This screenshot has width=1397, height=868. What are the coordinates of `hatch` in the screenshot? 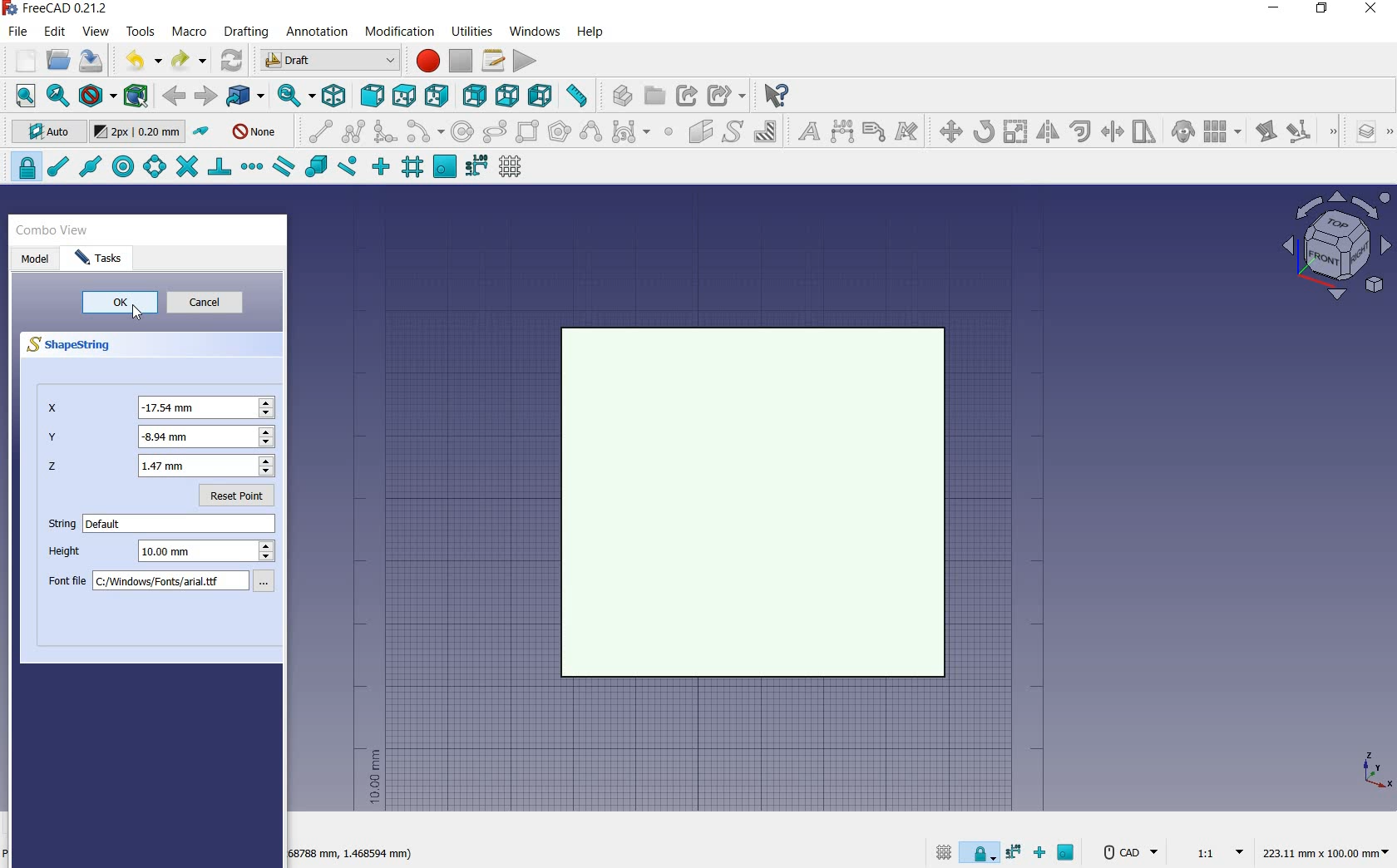 It's located at (766, 131).